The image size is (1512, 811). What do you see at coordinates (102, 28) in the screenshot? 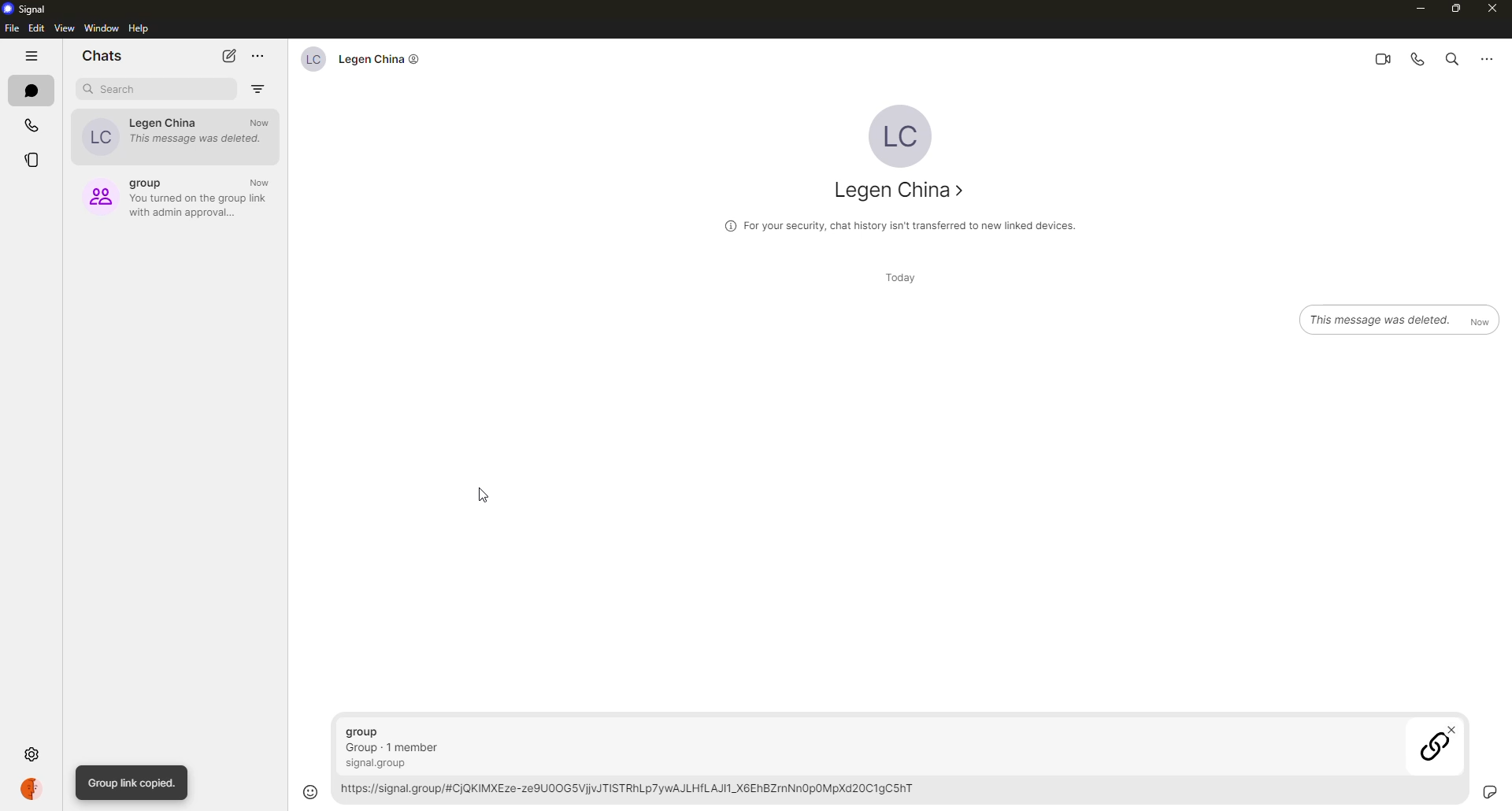
I see `window` at bounding box center [102, 28].